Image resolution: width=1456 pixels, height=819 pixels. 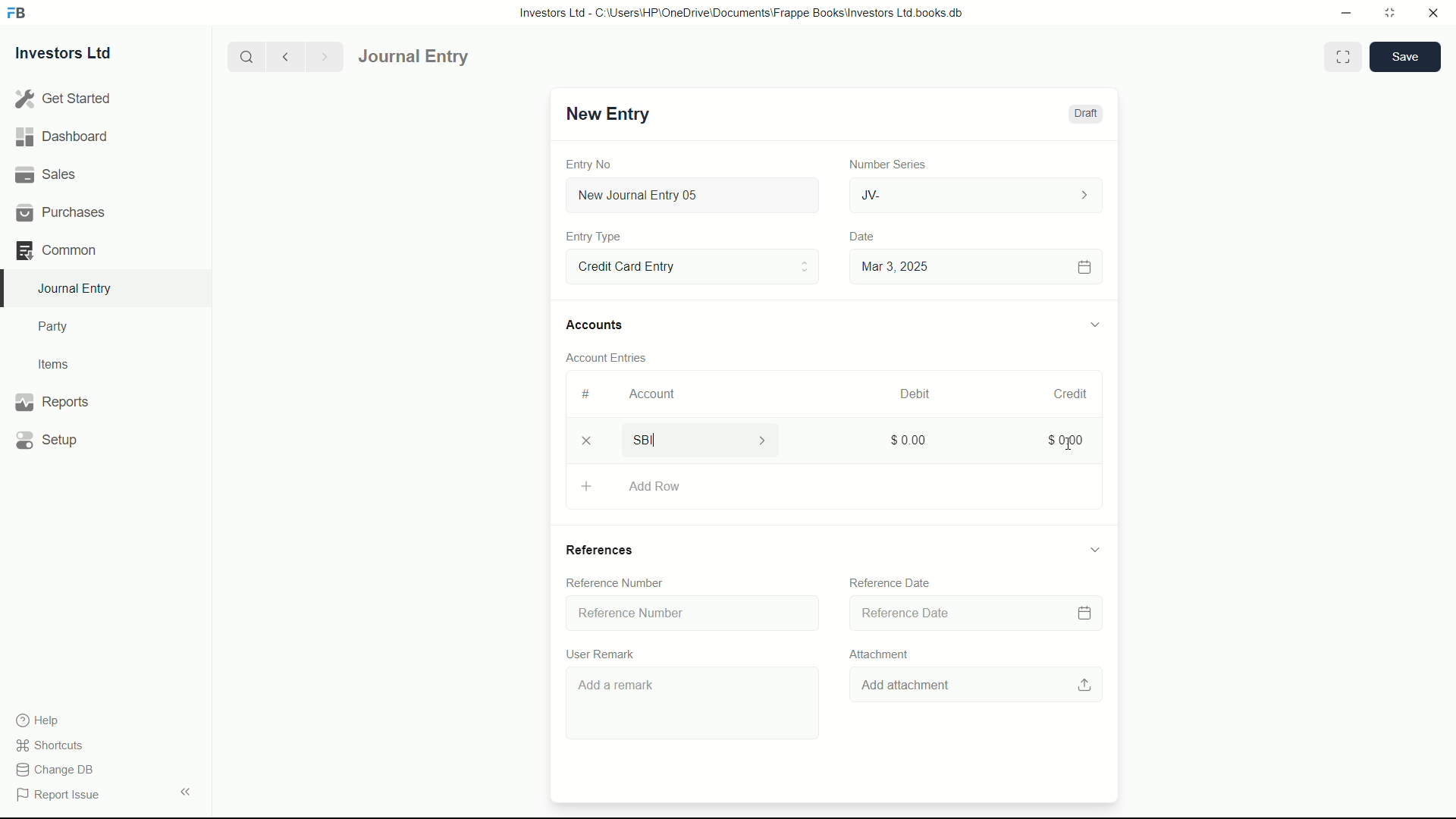 I want to click on Investors Ltd - C:\Users\HP\OneDrive\Documents\Frappe Books\Investors Ltd books.db, so click(x=743, y=12).